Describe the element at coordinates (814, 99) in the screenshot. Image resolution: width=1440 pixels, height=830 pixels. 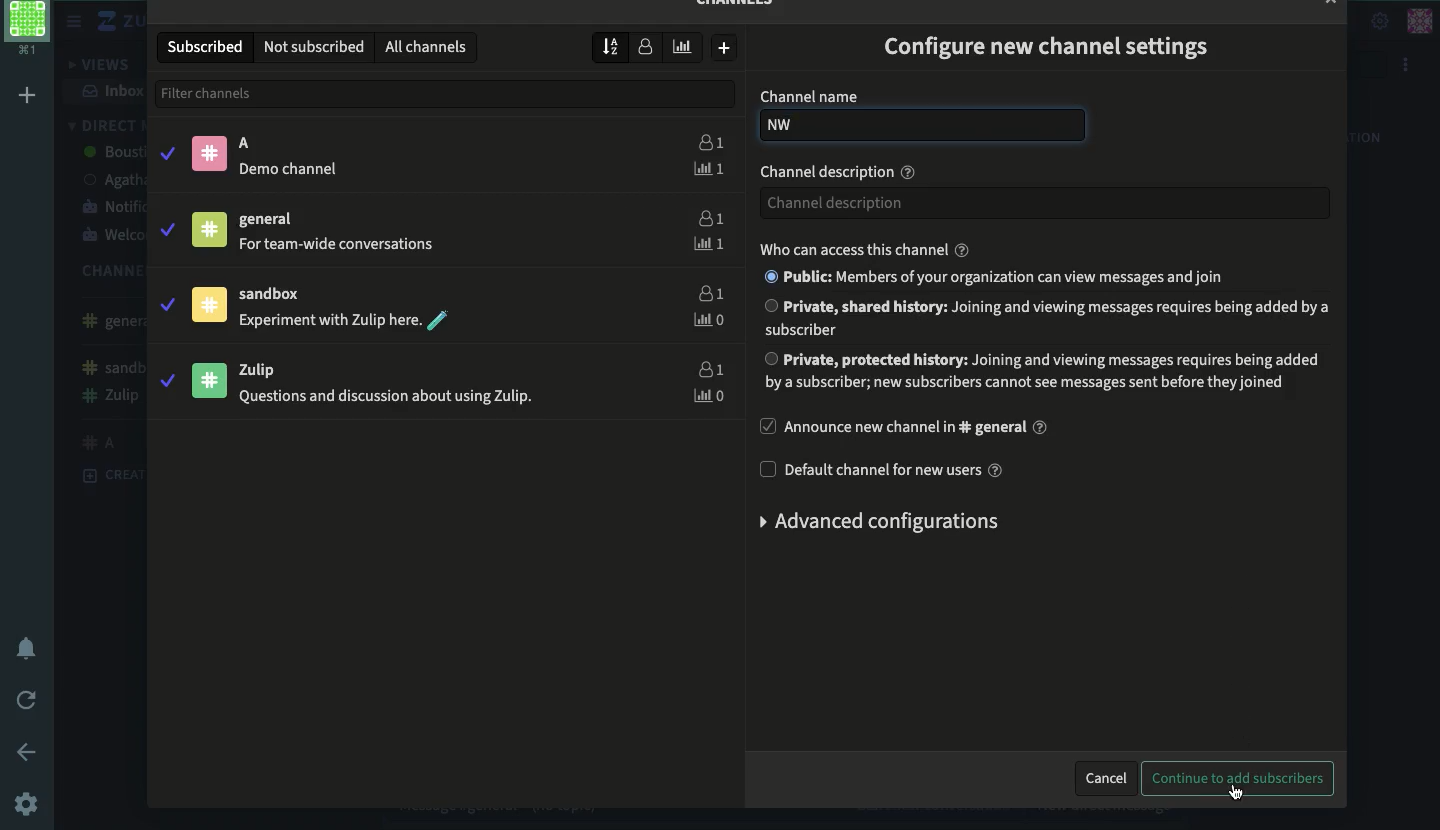
I see `channel name` at that location.